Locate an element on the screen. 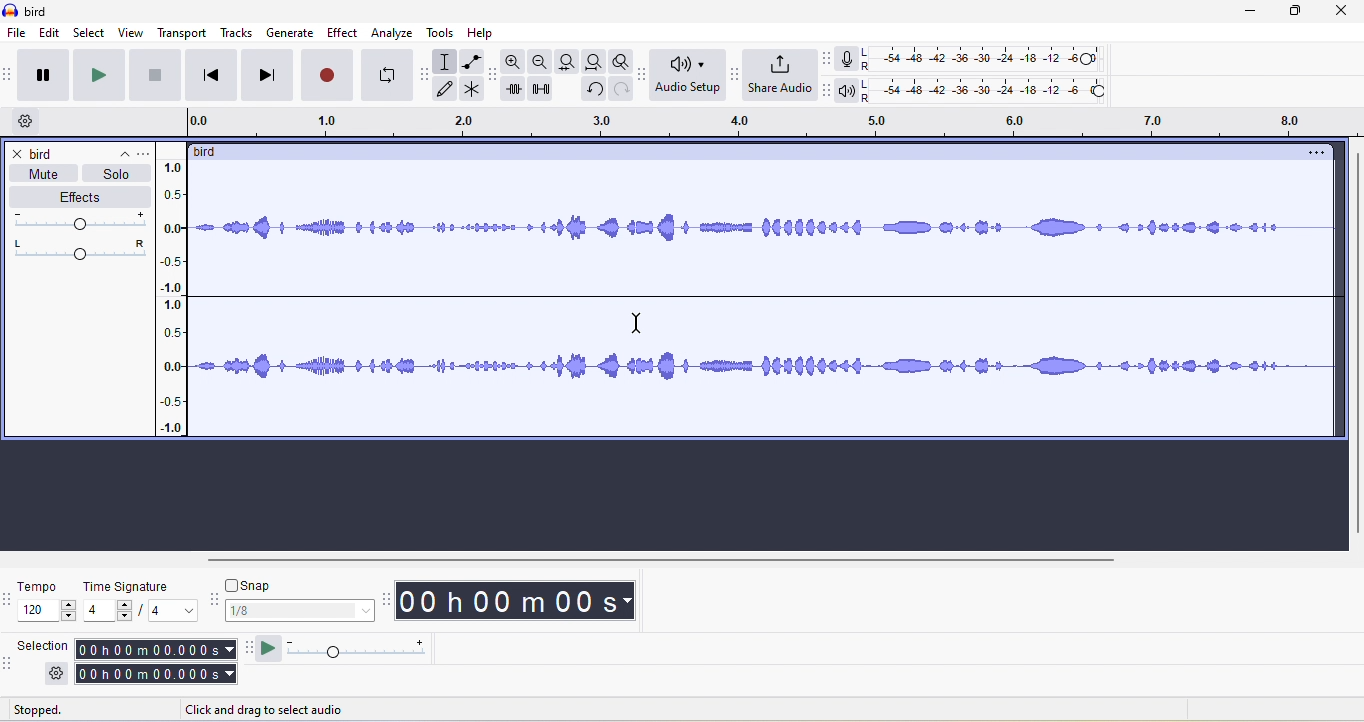 The height and width of the screenshot is (722, 1364). audacity transport toolbar is located at coordinates (9, 75).